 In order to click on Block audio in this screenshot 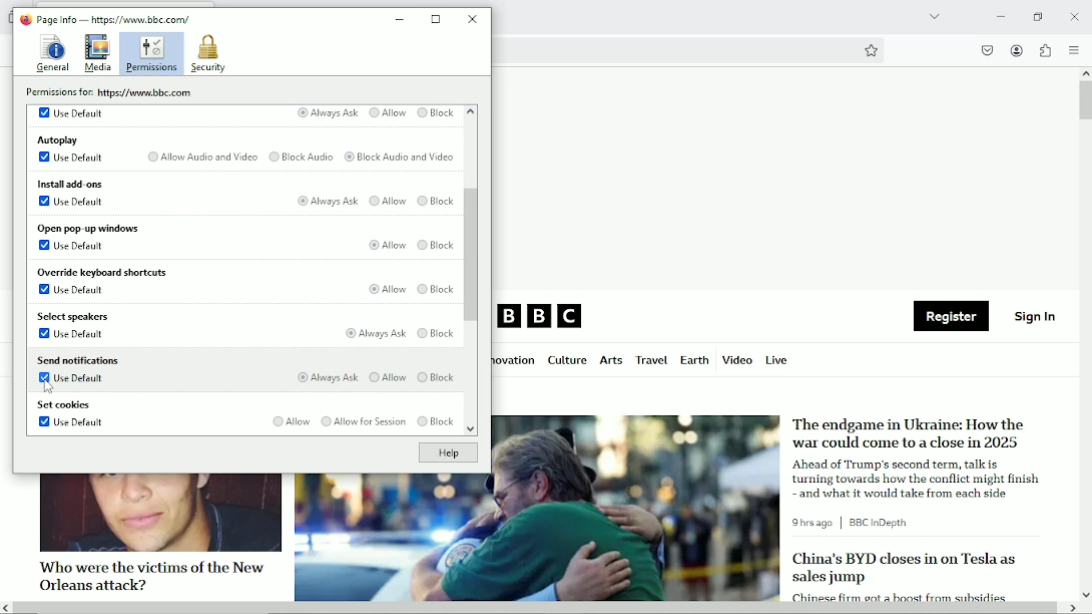, I will do `click(300, 157)`.